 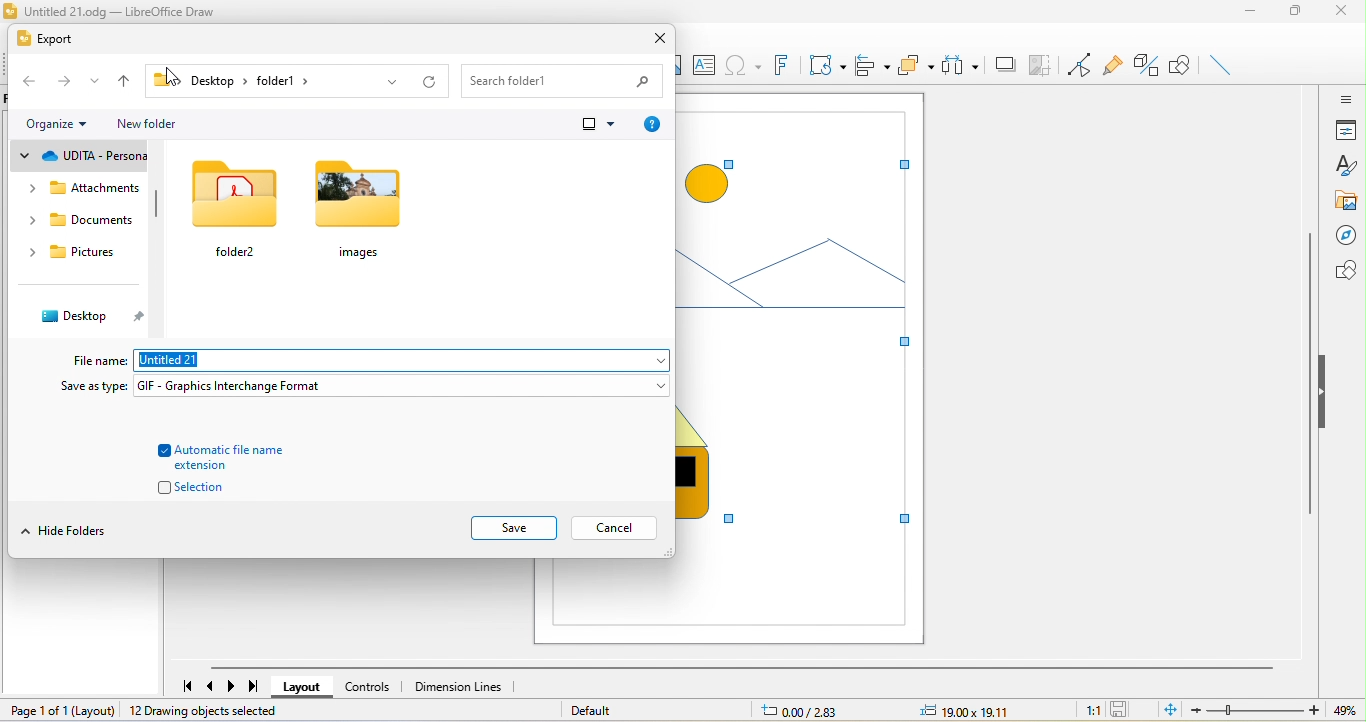 What do you see at coordinates (779, 64) in the screenshot?
I see `fontwork text` at bounding box center [779, 64].